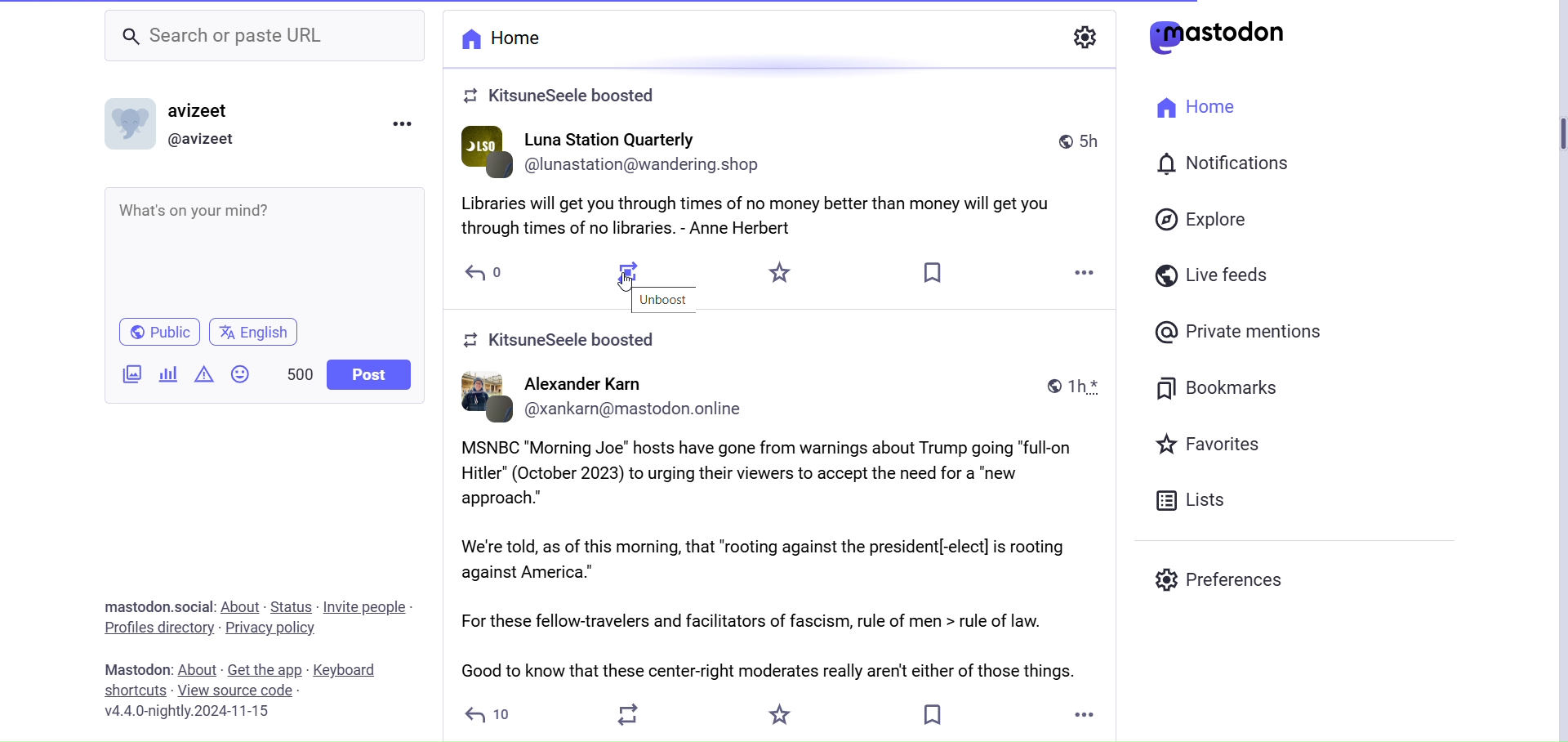  I want to click on Lists, so click(1199, 499).